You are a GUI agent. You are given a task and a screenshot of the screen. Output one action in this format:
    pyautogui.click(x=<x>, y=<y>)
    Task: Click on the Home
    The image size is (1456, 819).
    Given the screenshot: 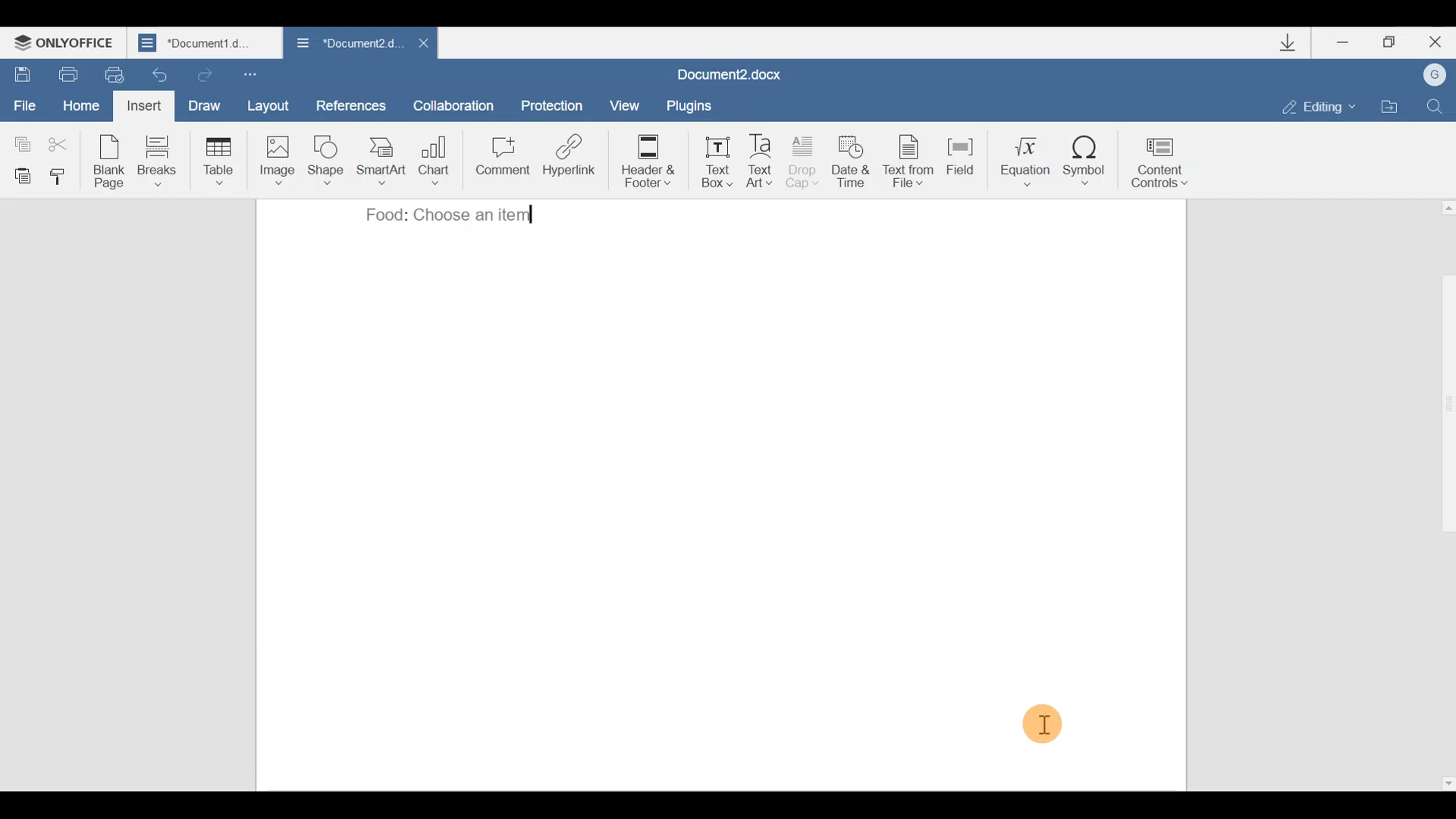 What is the action you would take?
    pyautogui.click(x=80, y=104)
    